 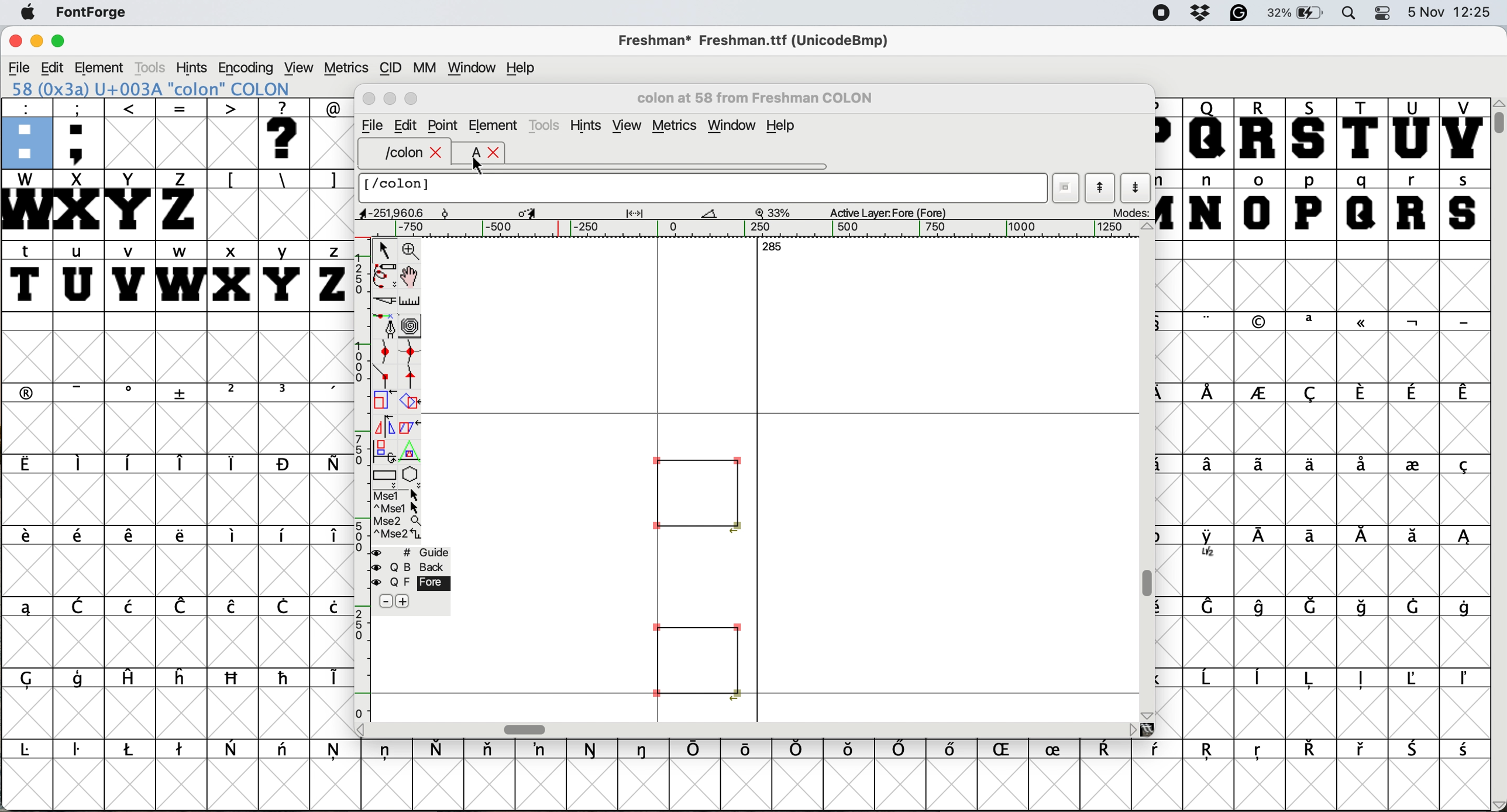 I want to click on edit, so click(x=52, y=67).